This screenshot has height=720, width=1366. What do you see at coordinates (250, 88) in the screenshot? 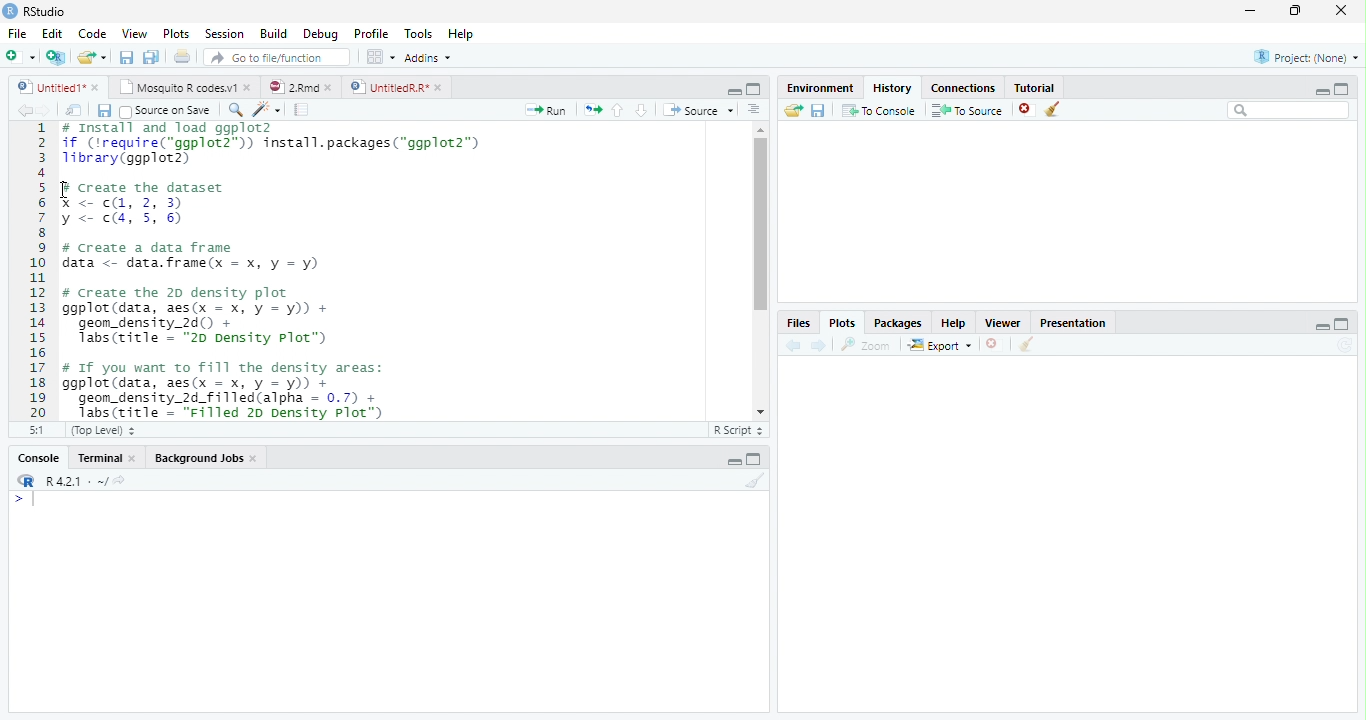
I see `close` at bounding box center [250, 88].